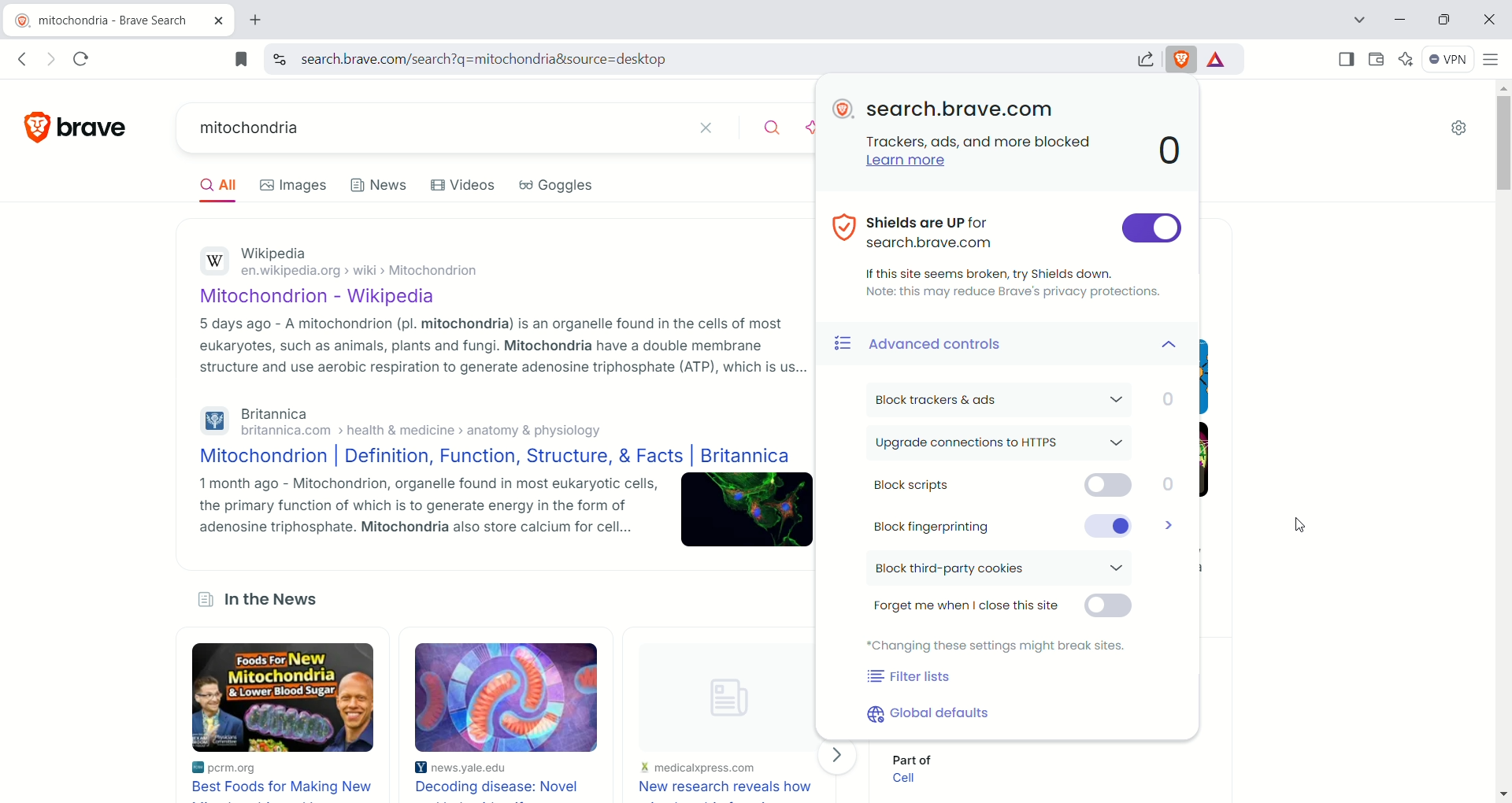 Image resolution: width=1512 pixels, height=803 pixels. What do you see at coordinates (254, 21) in the screenshot?
I see `new tab` at bounding box center [254, 21].